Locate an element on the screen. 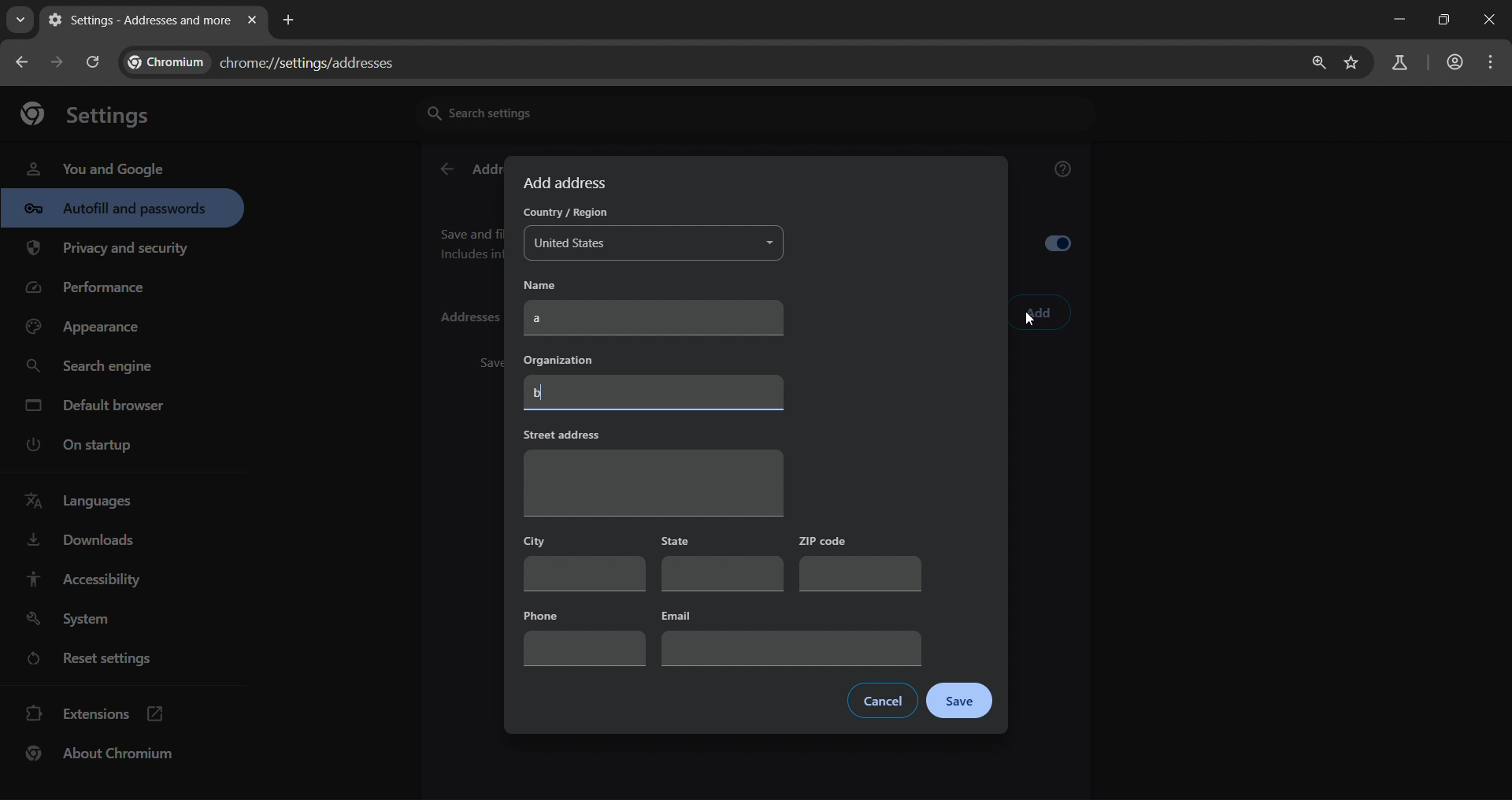 This screenshot has height=800, width=1512. account is located at coordinates (1452, 64).